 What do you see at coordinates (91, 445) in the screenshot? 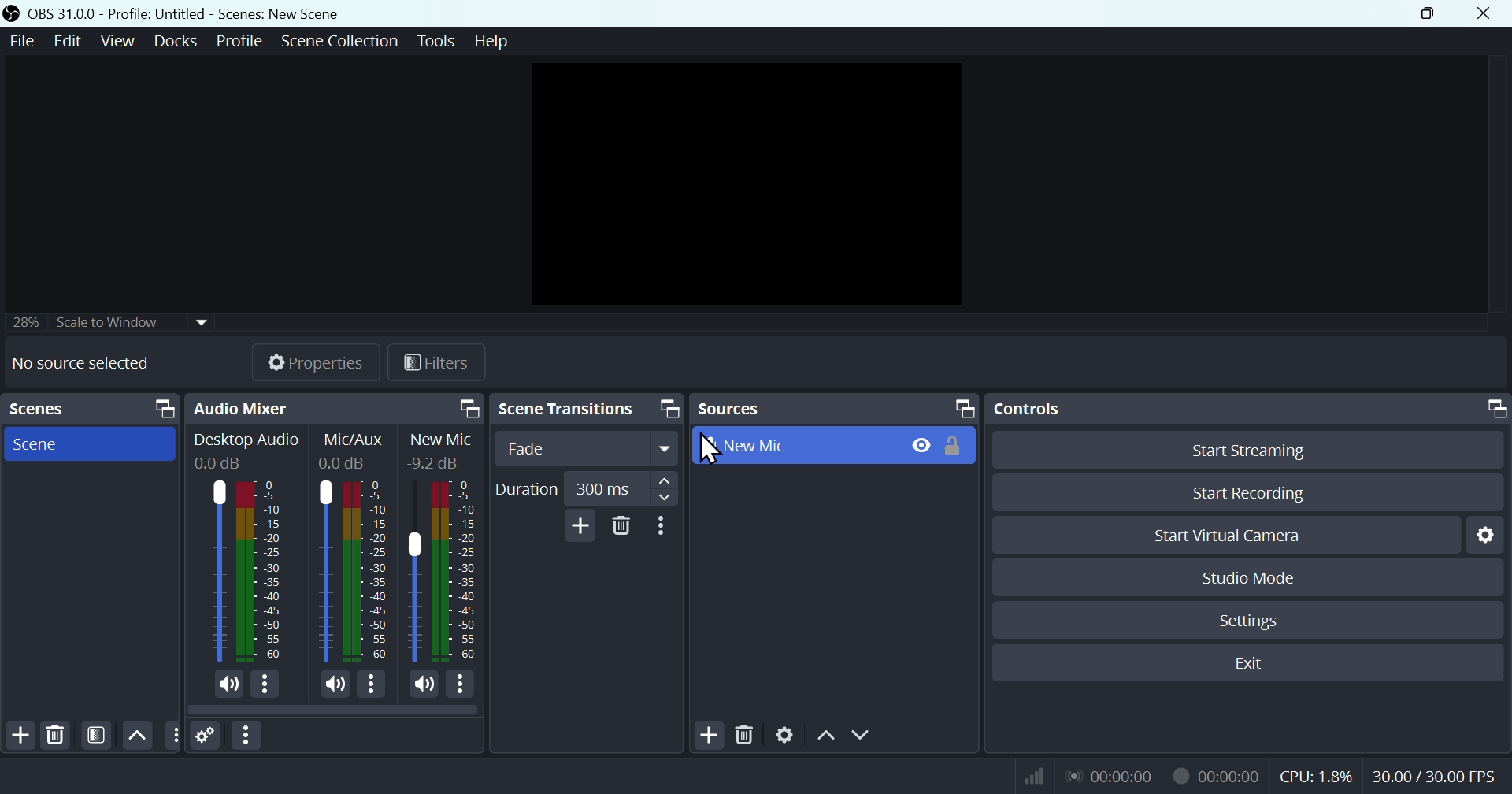
I see `Scene` at bounding box center [91, 445].